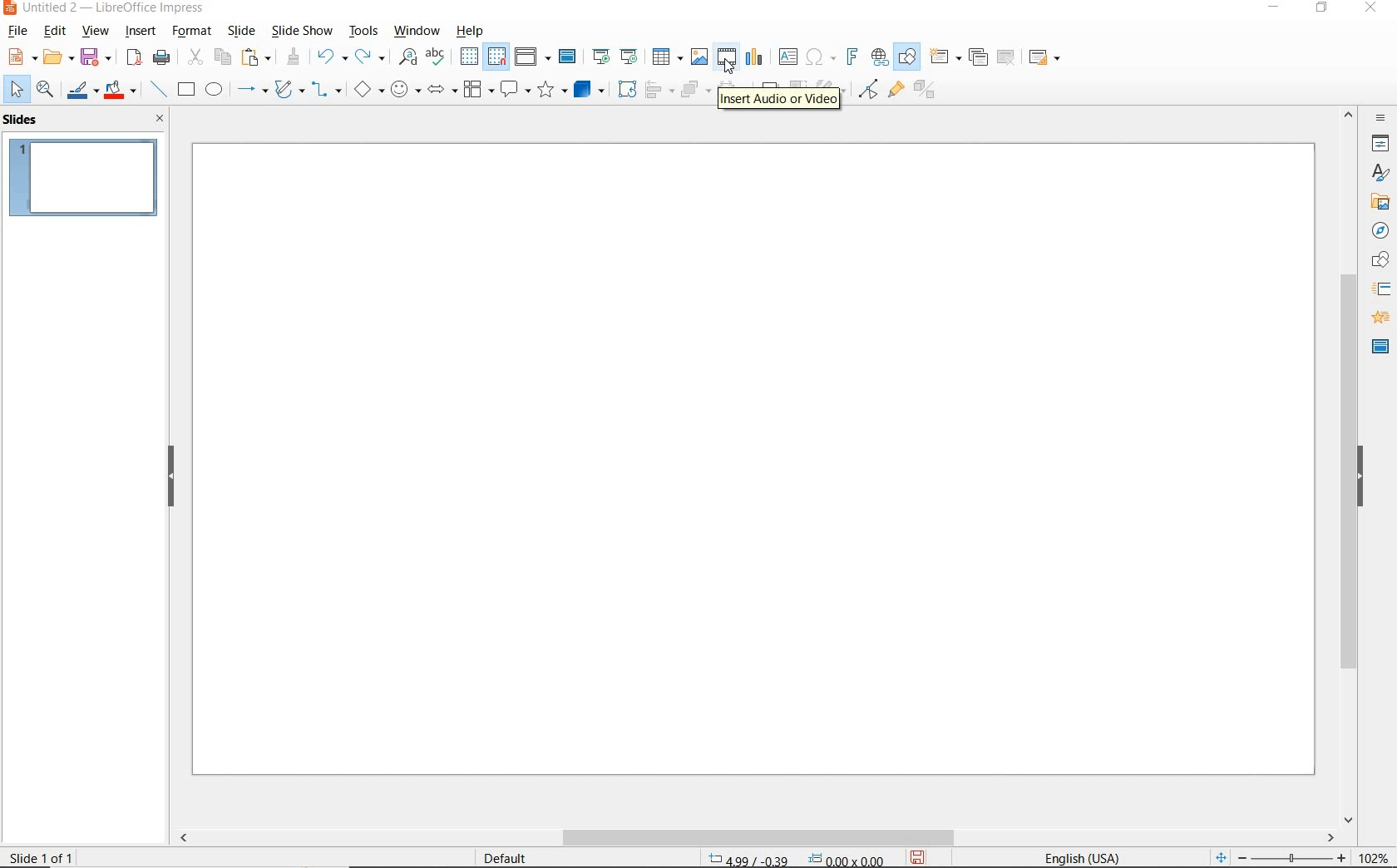 The width and height of the screenshot is (1397, 868). What do you see at coordinates (18, 57) in the screenshot?
I see `NEW` at bounding box center [18, 57].